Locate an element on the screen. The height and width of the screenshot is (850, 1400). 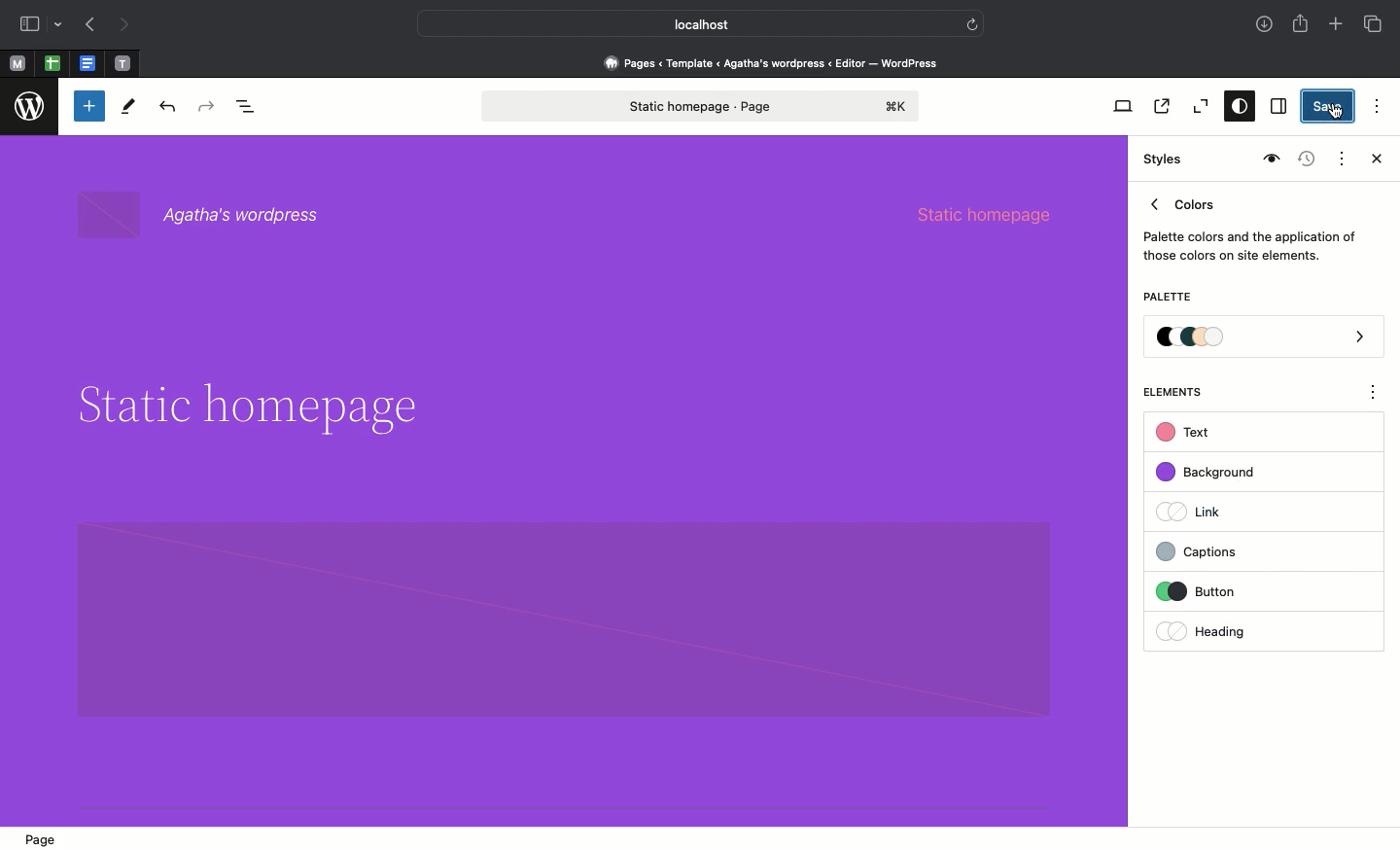
Previous page is located at coordinates (88, 26).